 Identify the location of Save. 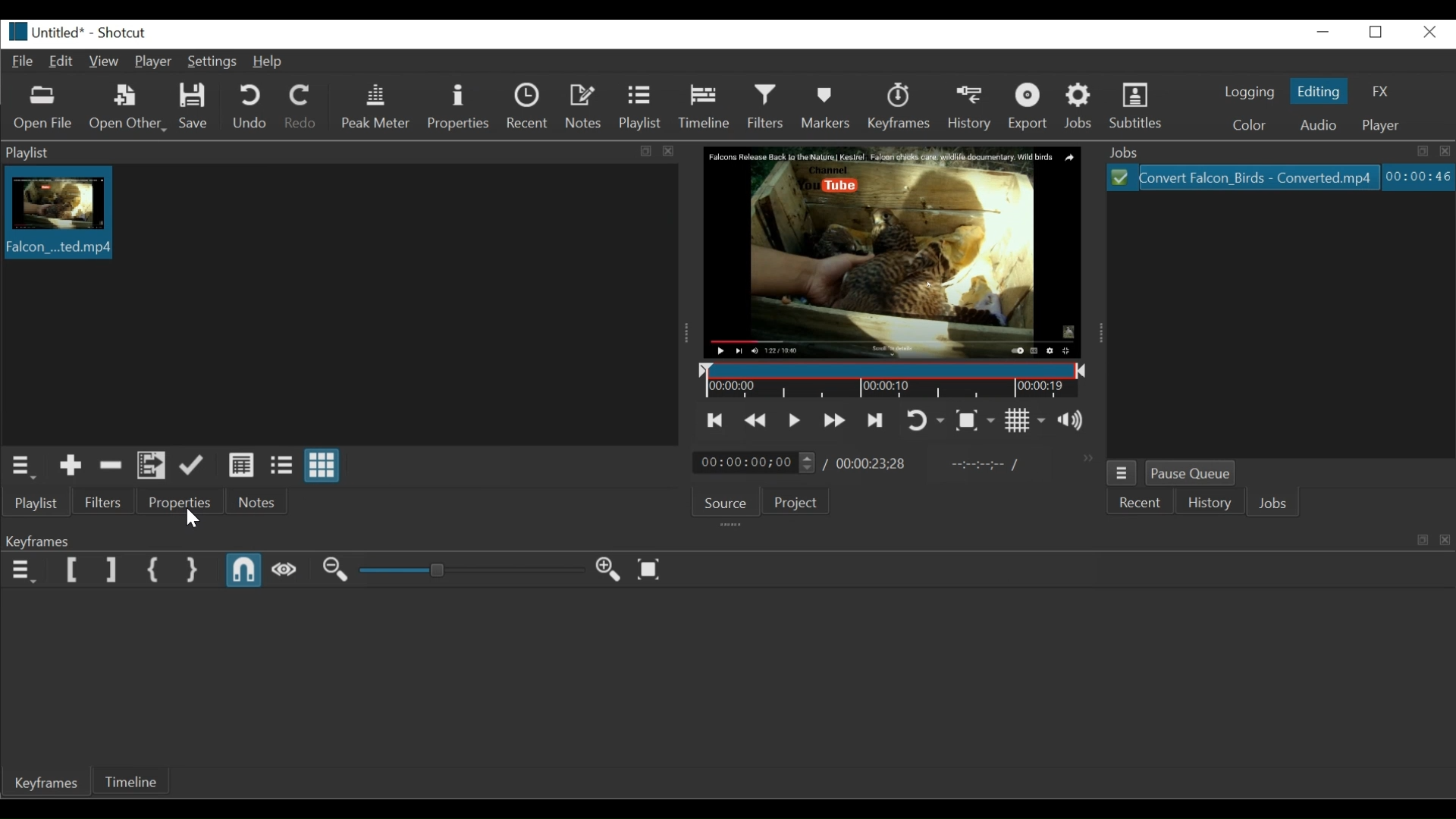
(195, 108).